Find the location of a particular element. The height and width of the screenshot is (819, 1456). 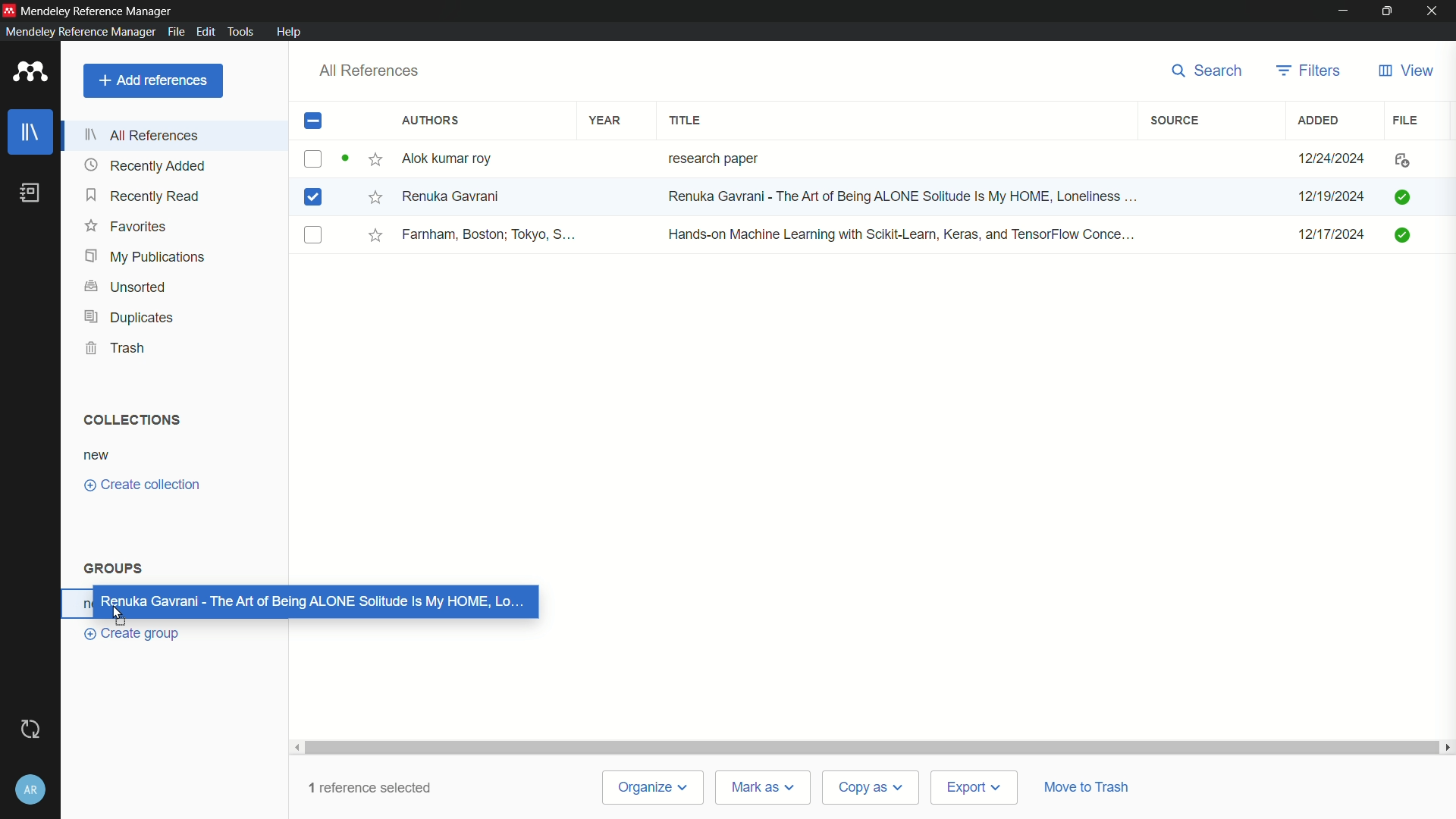

Star is located at coordinates (362, 160).